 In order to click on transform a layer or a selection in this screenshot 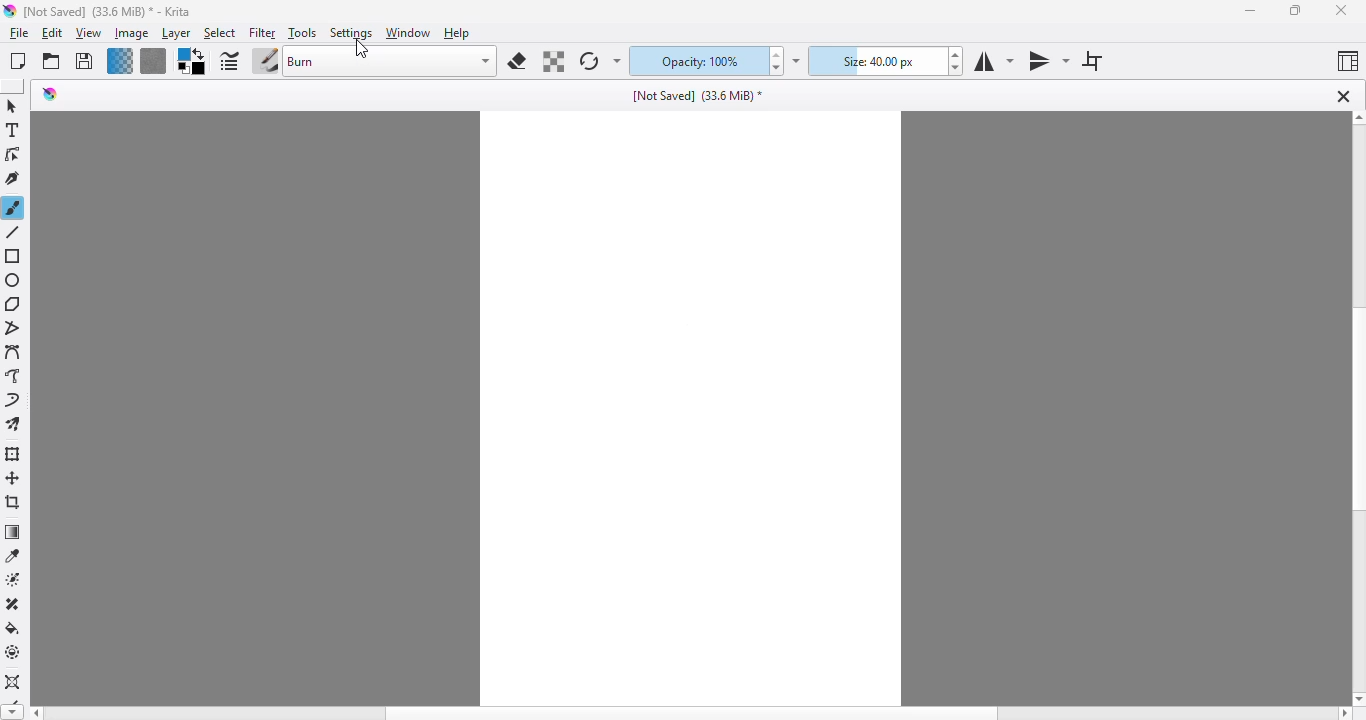, I will do `click(13, 454)`.